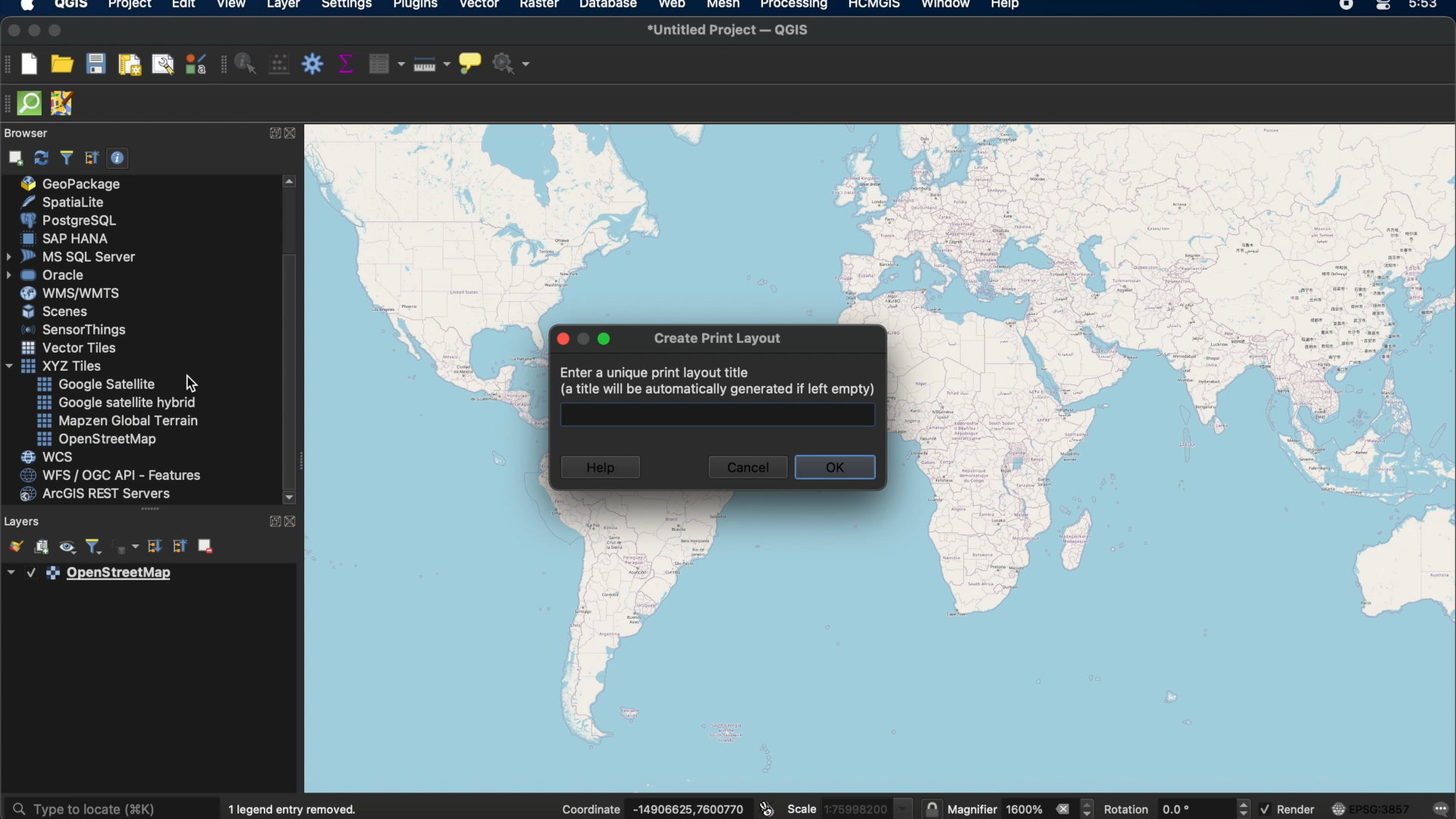 The width and height of the screenshot is (1456, 819). I want to click on okay, so click(836, 467).